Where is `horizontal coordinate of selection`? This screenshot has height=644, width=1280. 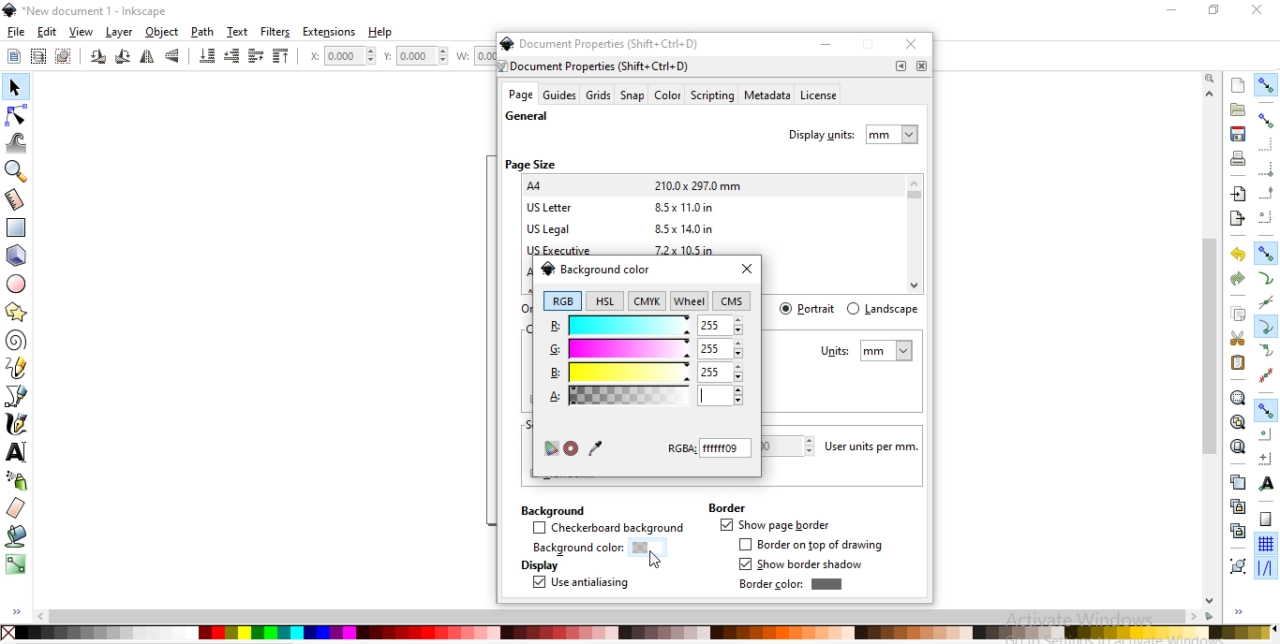
horizontal coordinate of selection is located at coordinates (340, 58).